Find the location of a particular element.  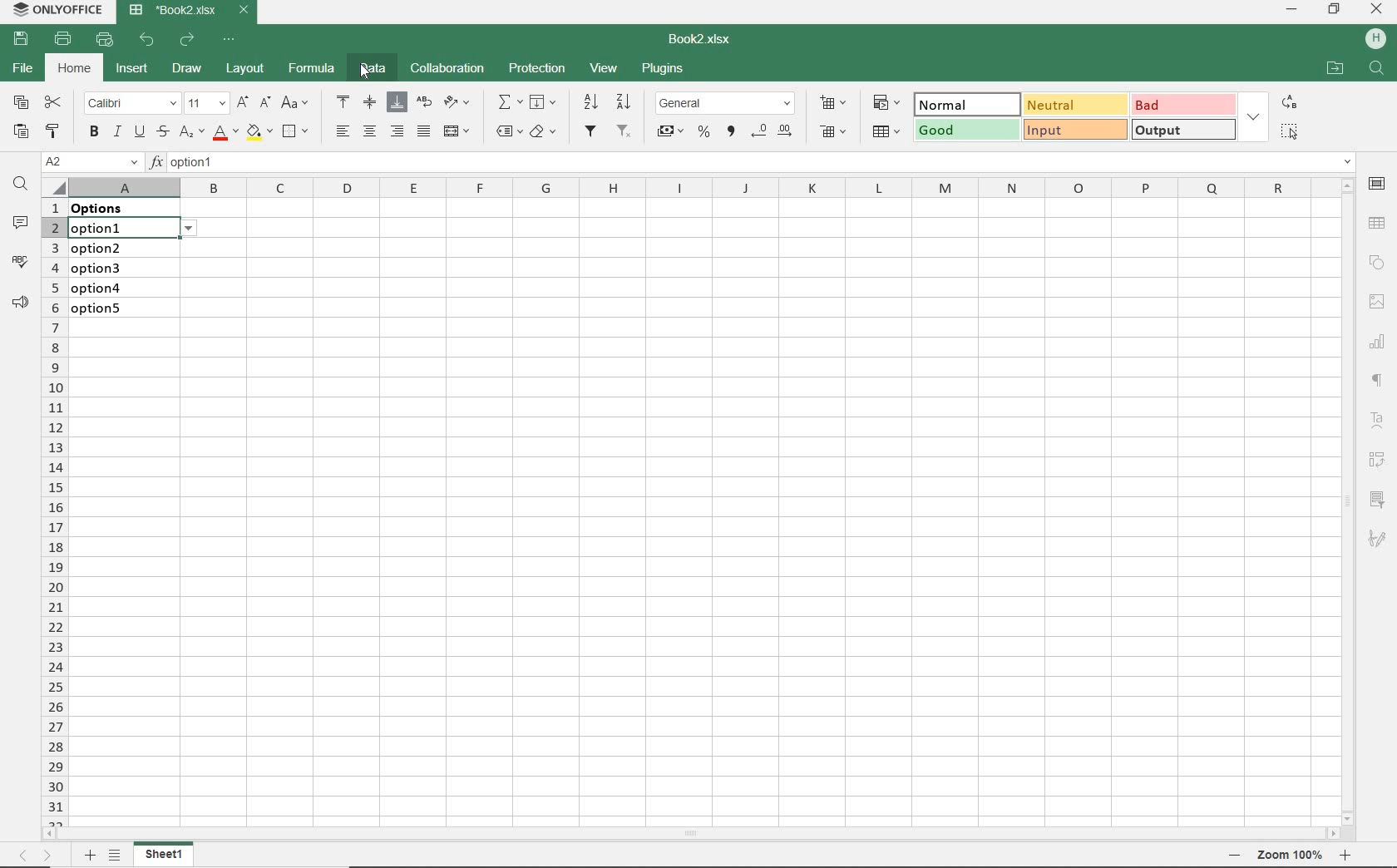

REDO is located at coordinates (187, 40).